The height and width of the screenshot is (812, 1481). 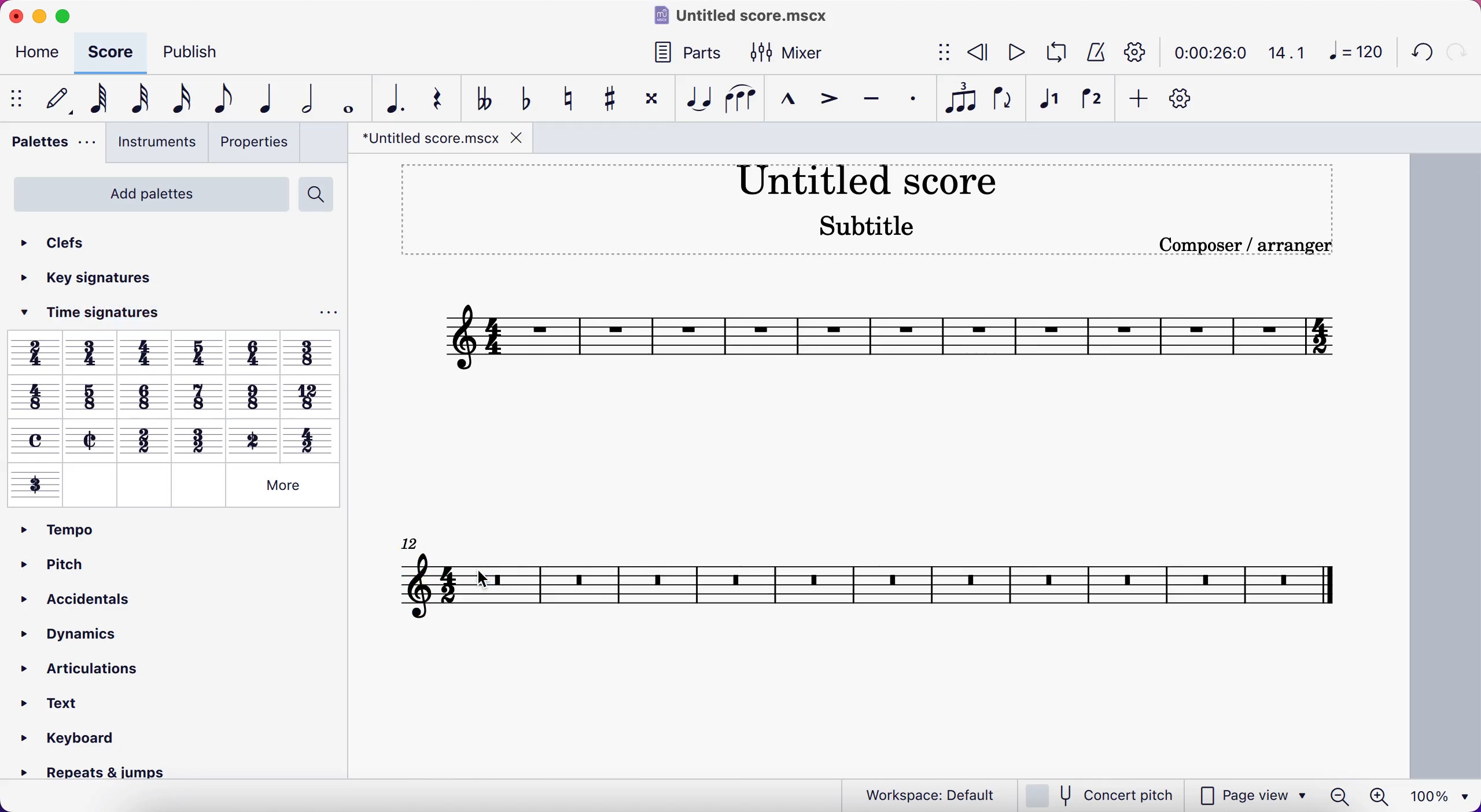 I want to click on , so click(x=197, y=487).